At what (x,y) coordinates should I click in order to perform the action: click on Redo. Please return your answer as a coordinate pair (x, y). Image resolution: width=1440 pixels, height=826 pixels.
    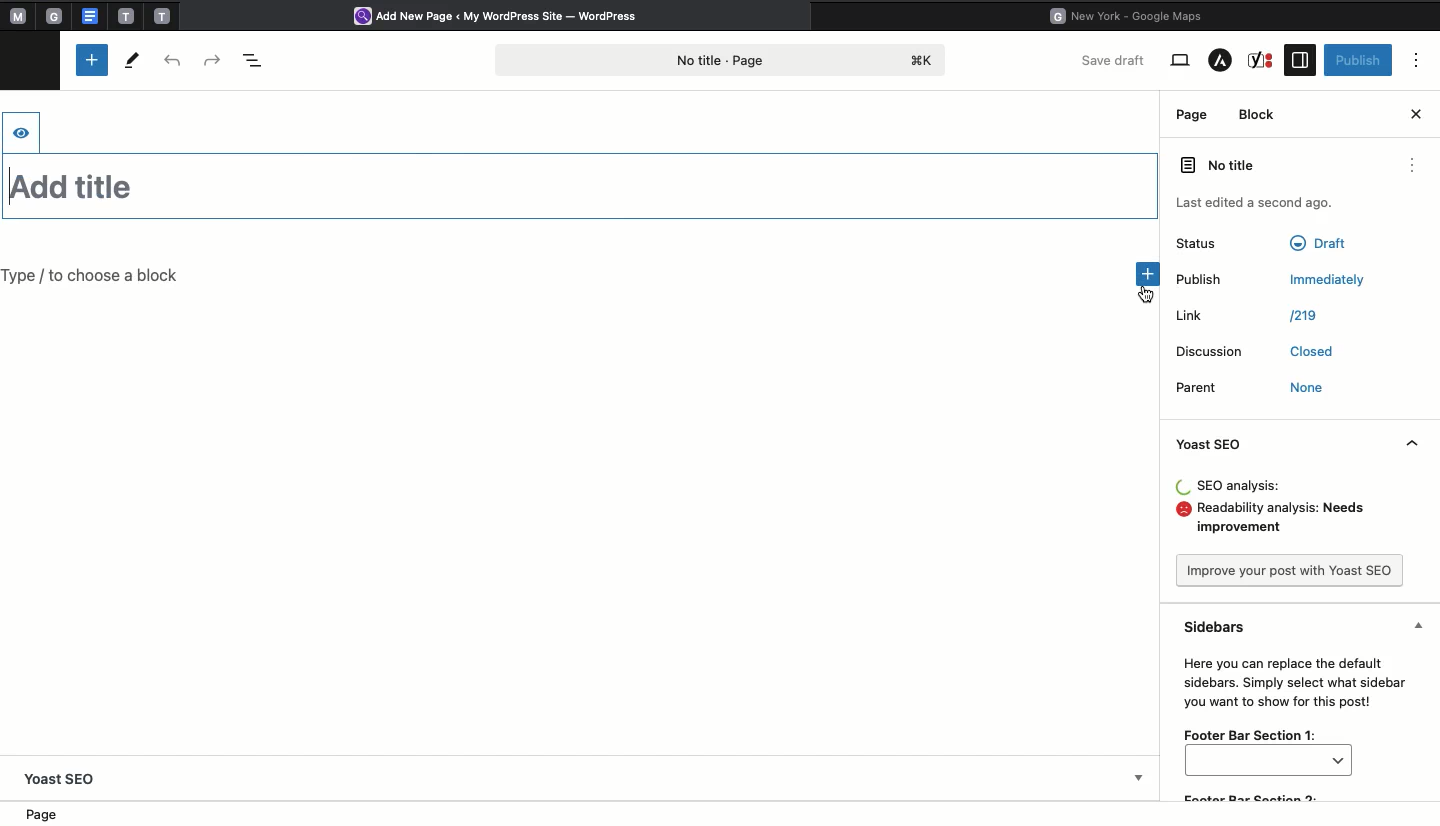
    Looking at the image, I should click on (214, 57).